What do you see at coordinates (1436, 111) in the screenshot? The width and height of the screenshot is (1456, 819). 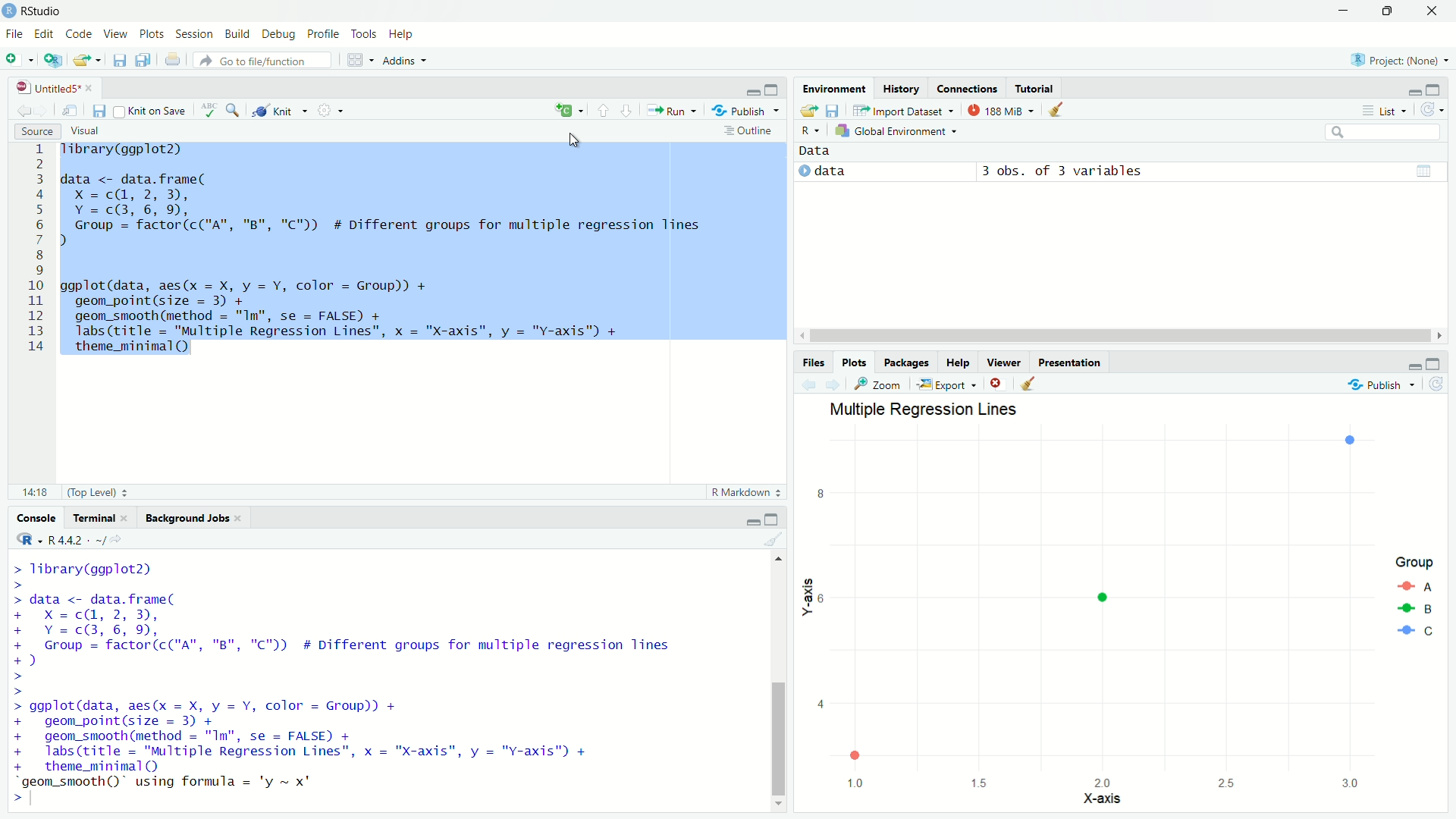 I see `refresh` at bounding box center [1436, 111].